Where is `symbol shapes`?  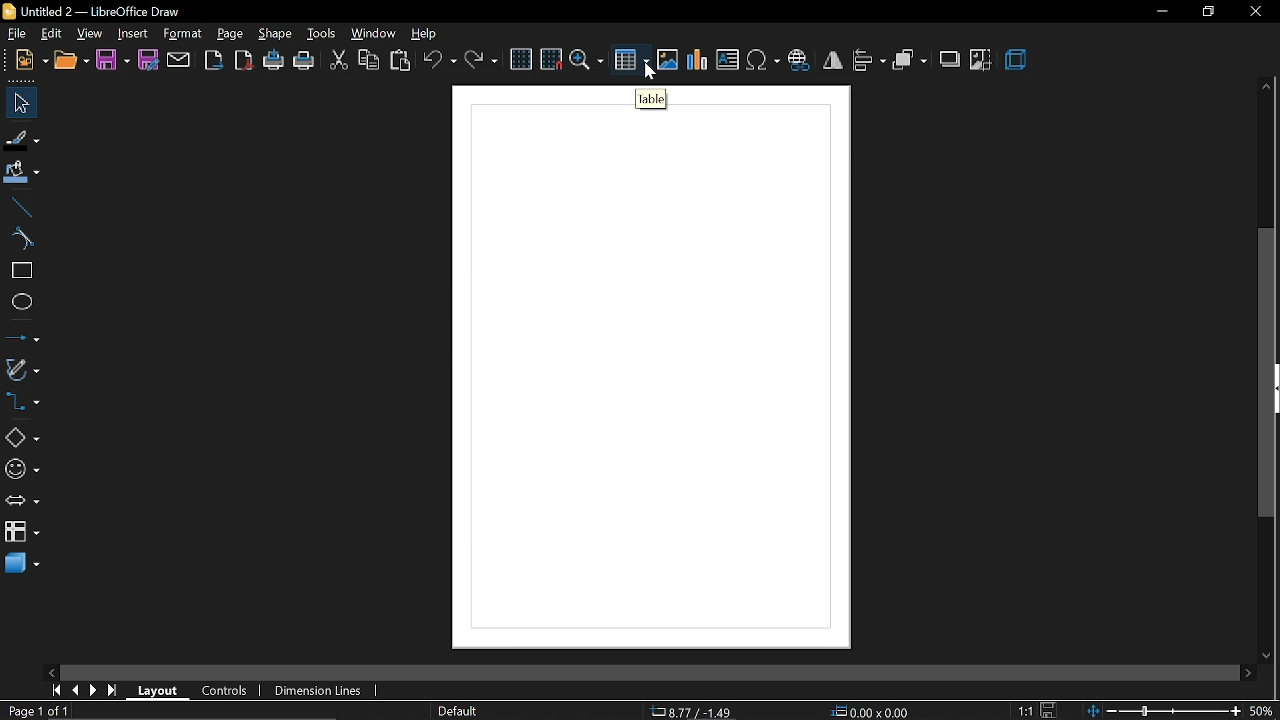 symbol shapes is located at coordinates (21, 470).